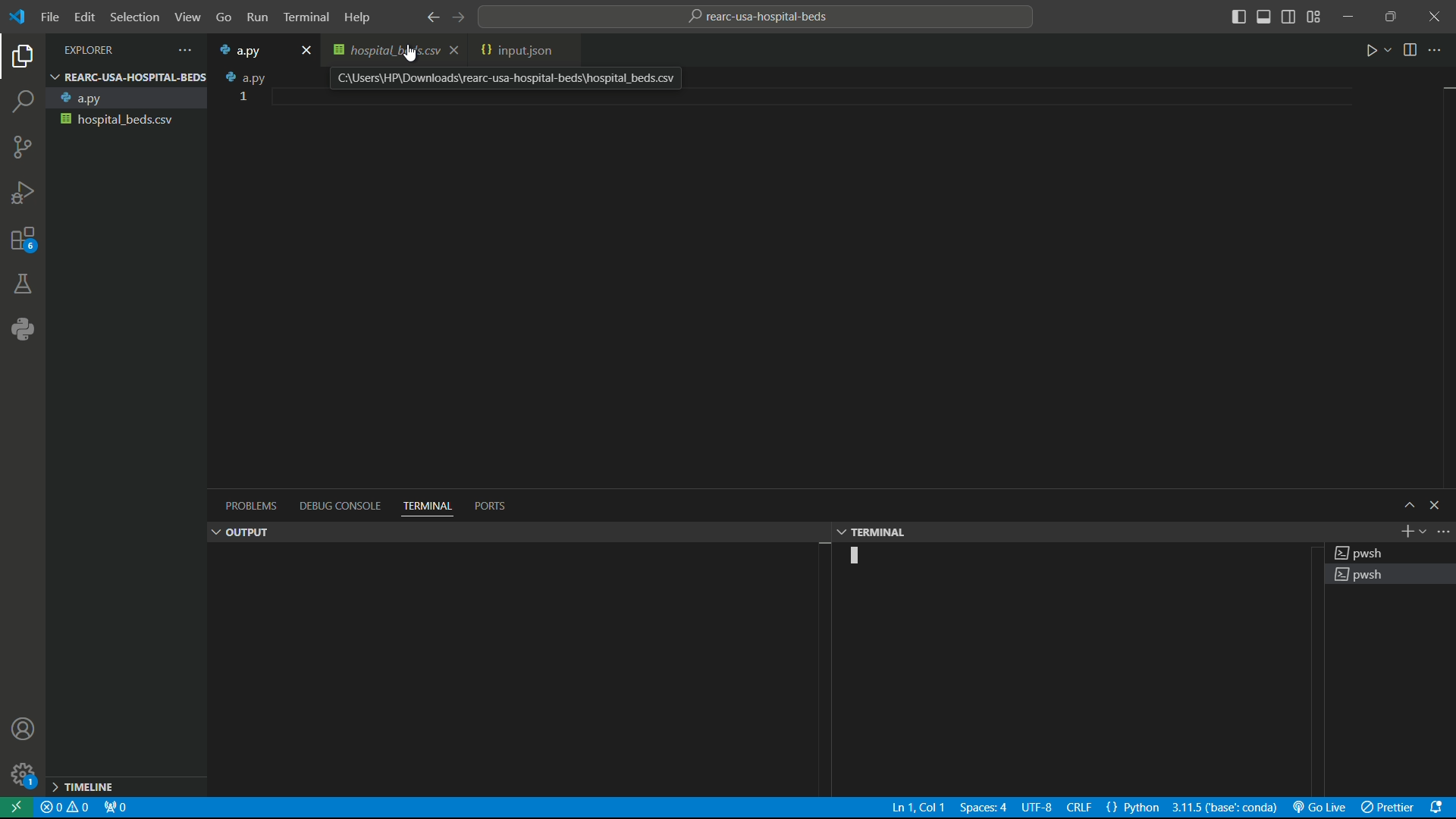 Image resolution: width=1456 pixels, height=819 pixels. Describe the element at coordinates (362, 18) in the screenshot. I see `help menu` at that location.